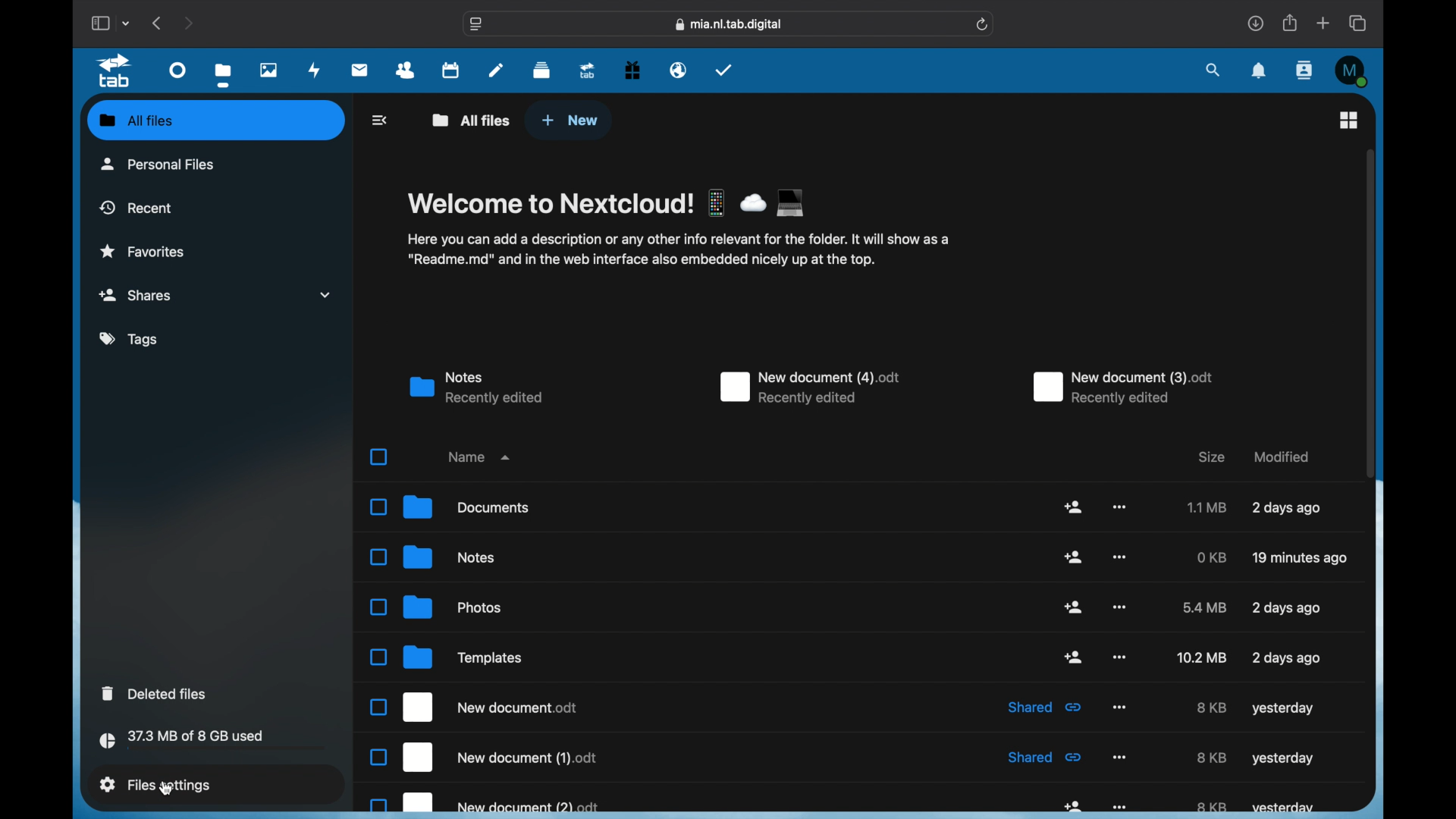 The image size is (1456, 819). I want to click on yesterday, so click(1284, 808).